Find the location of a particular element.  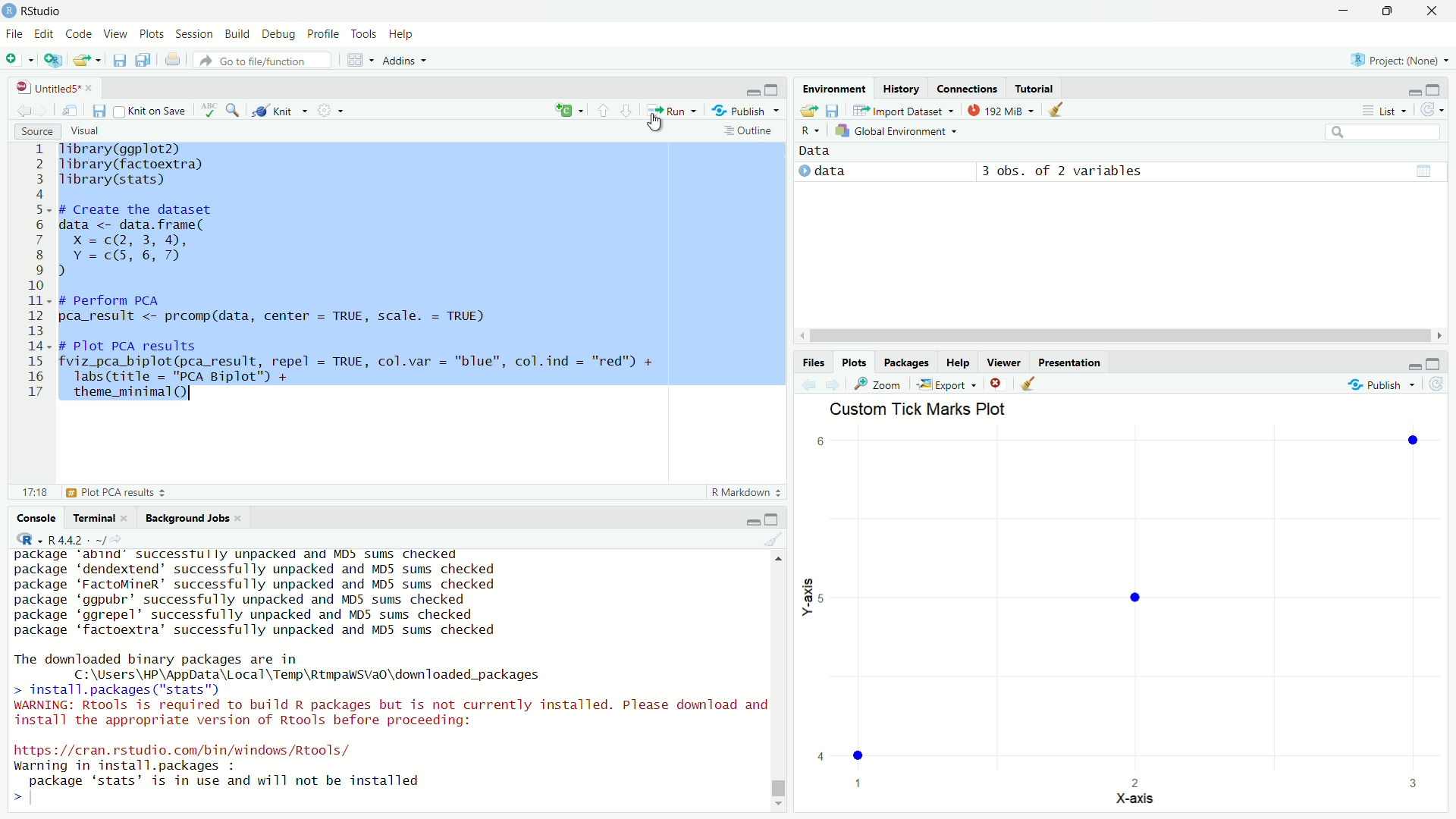

R language is located at coordinates (27, 539).